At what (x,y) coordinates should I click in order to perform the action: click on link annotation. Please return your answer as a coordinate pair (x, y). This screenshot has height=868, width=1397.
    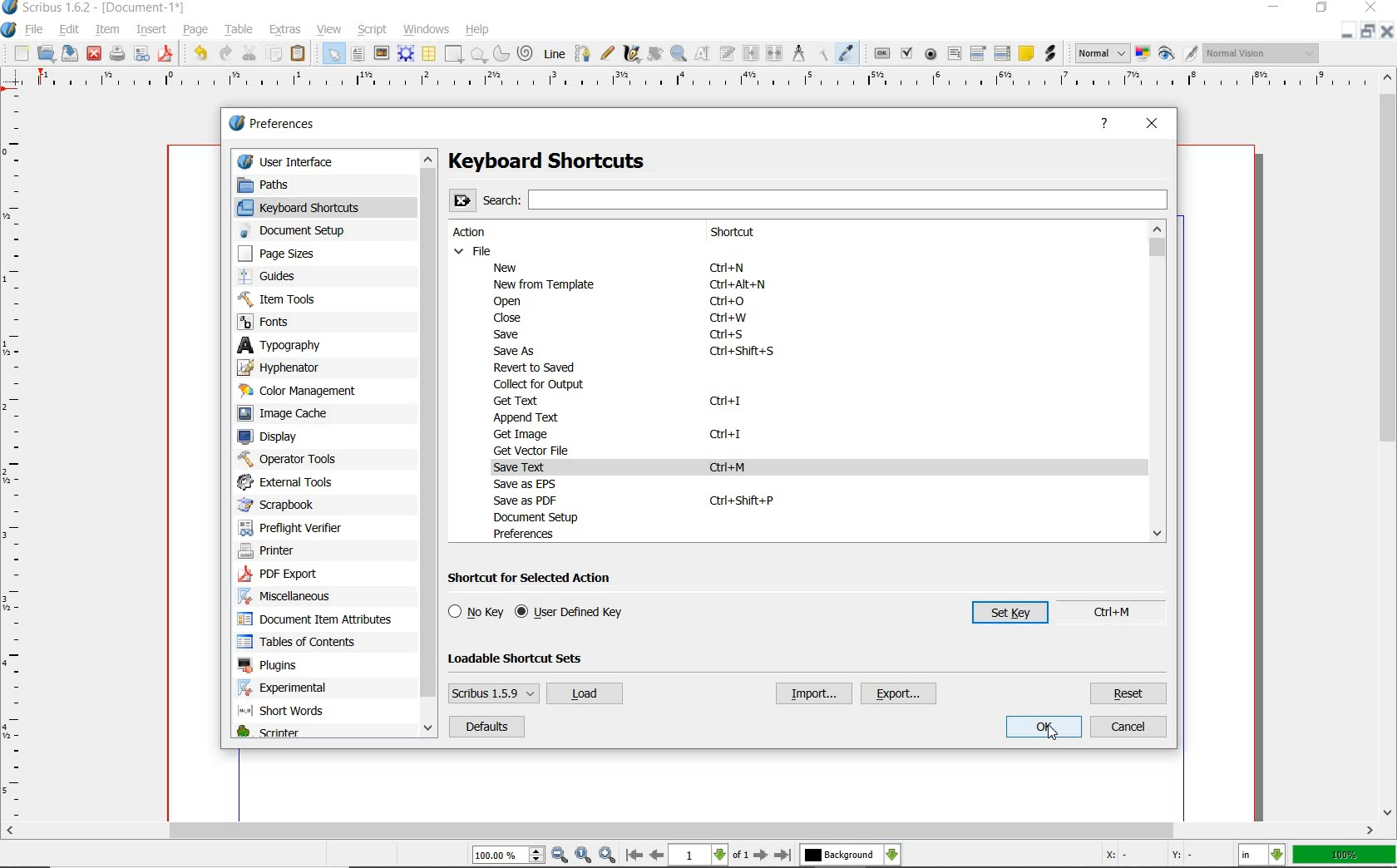
    Looking at the image, I should click on (1050, 52).